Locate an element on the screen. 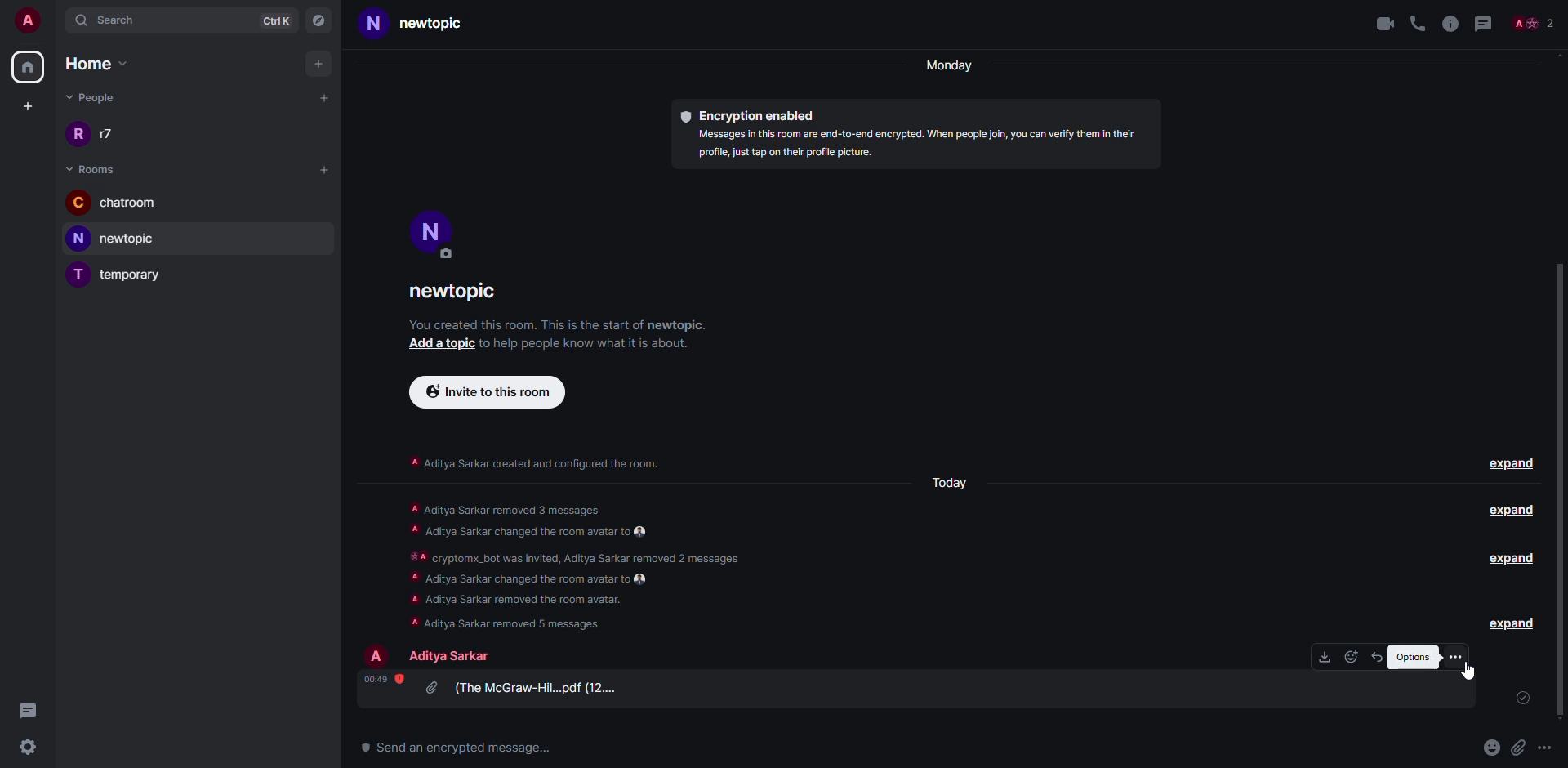  expand is located at coordinates (1511, 510).